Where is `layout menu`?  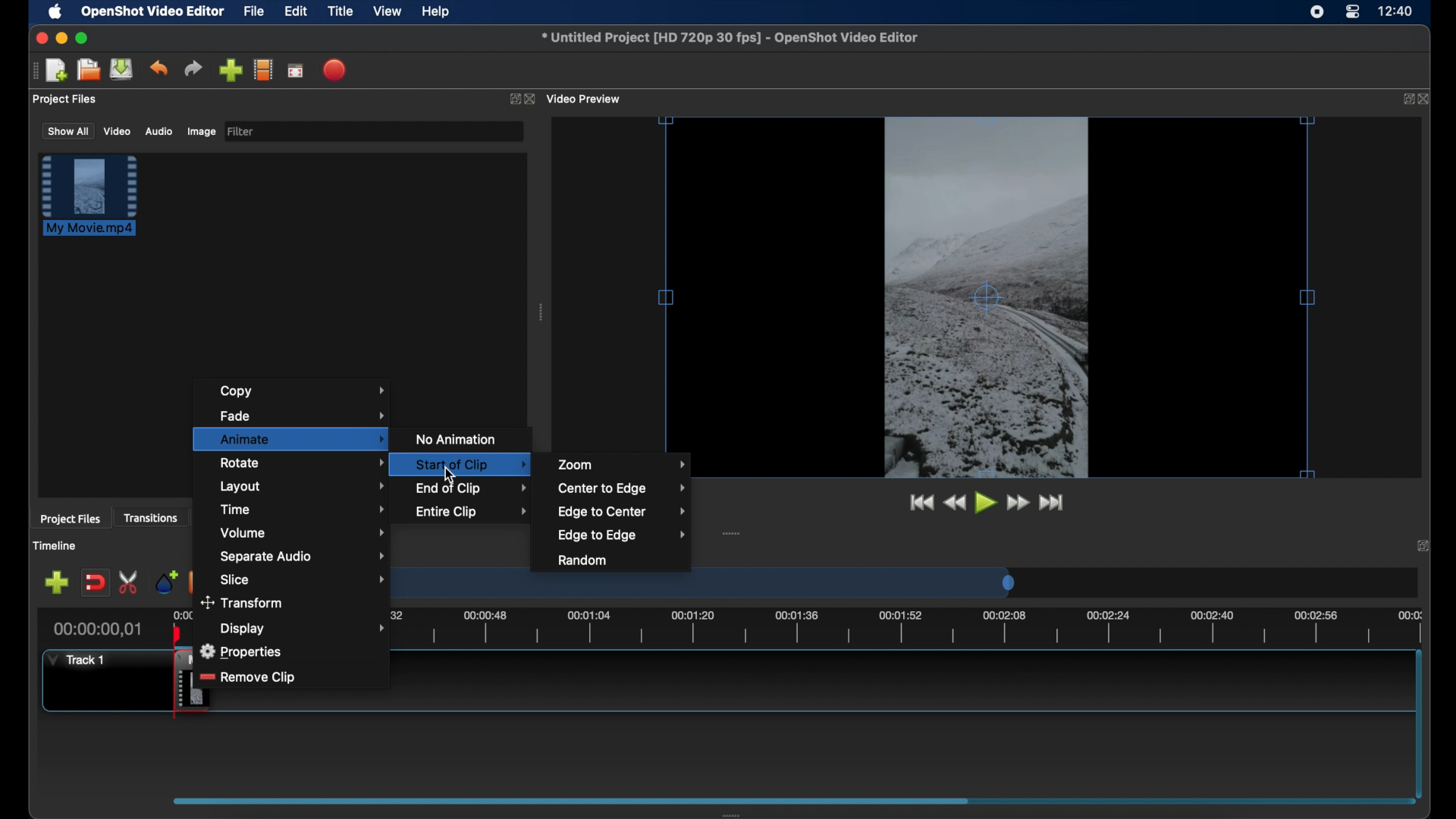
layout menu is located at coordinates (303, 487).